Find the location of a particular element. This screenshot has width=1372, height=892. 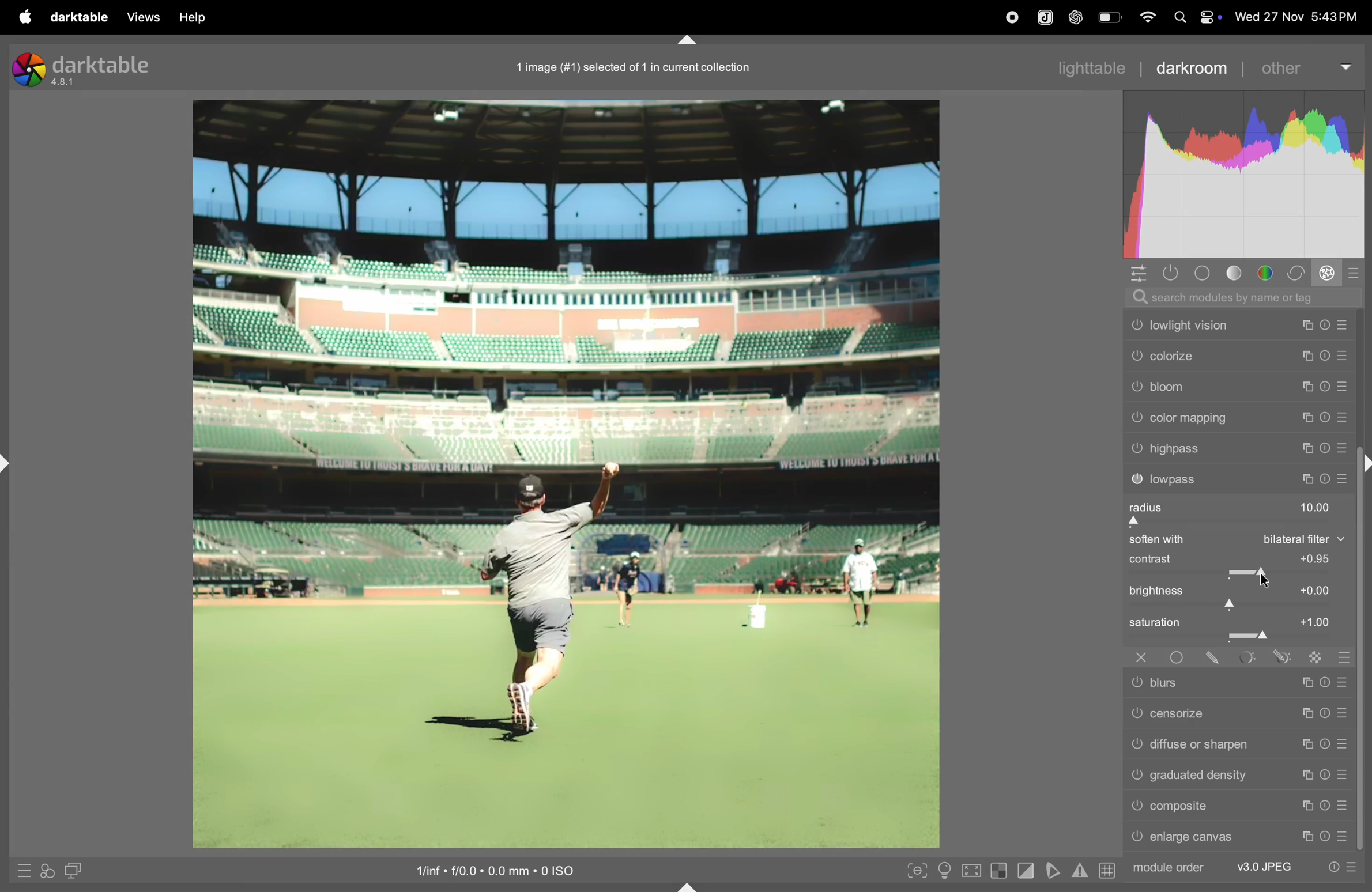

date and time is located at coordinates (1296, 14).